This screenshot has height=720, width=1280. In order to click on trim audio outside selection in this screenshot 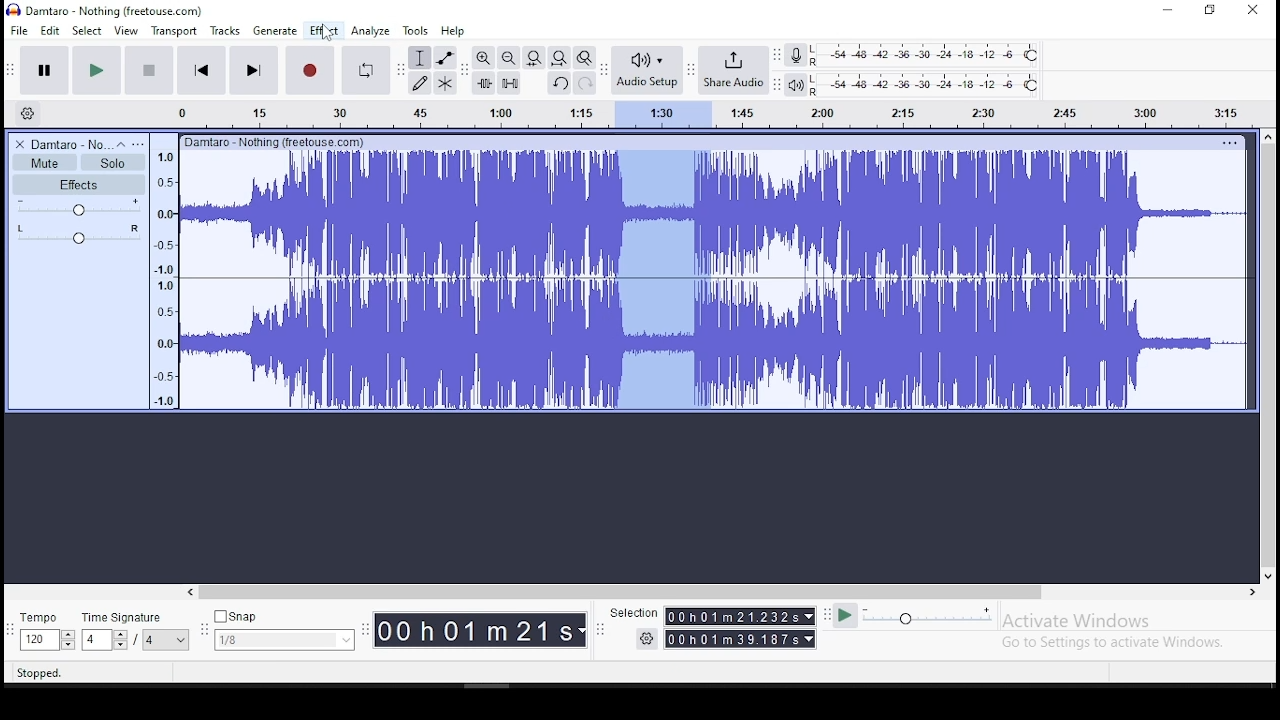, I will do `click(485, 83)`.